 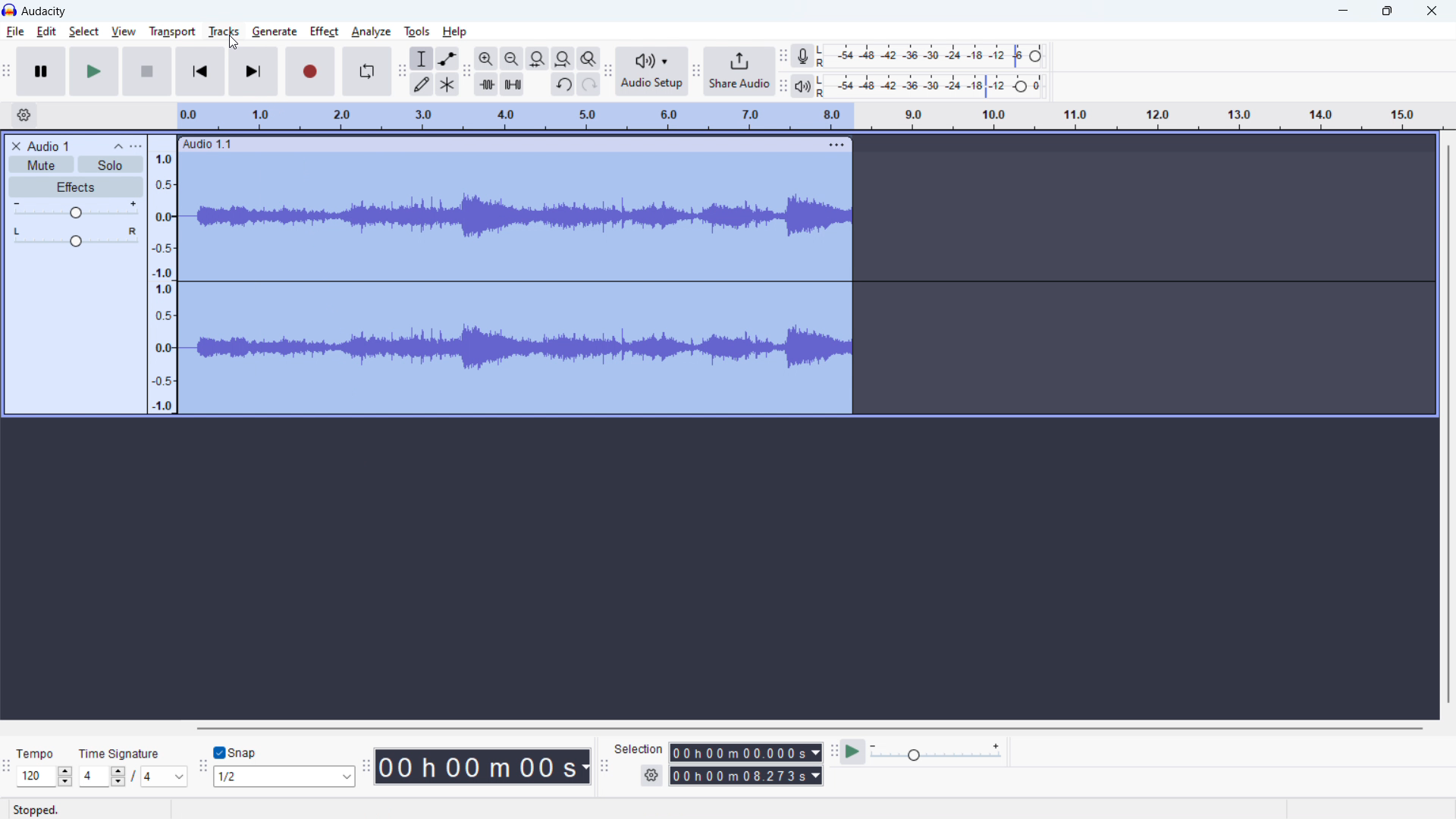 I want to click on redo, so click(x=588, y=84).